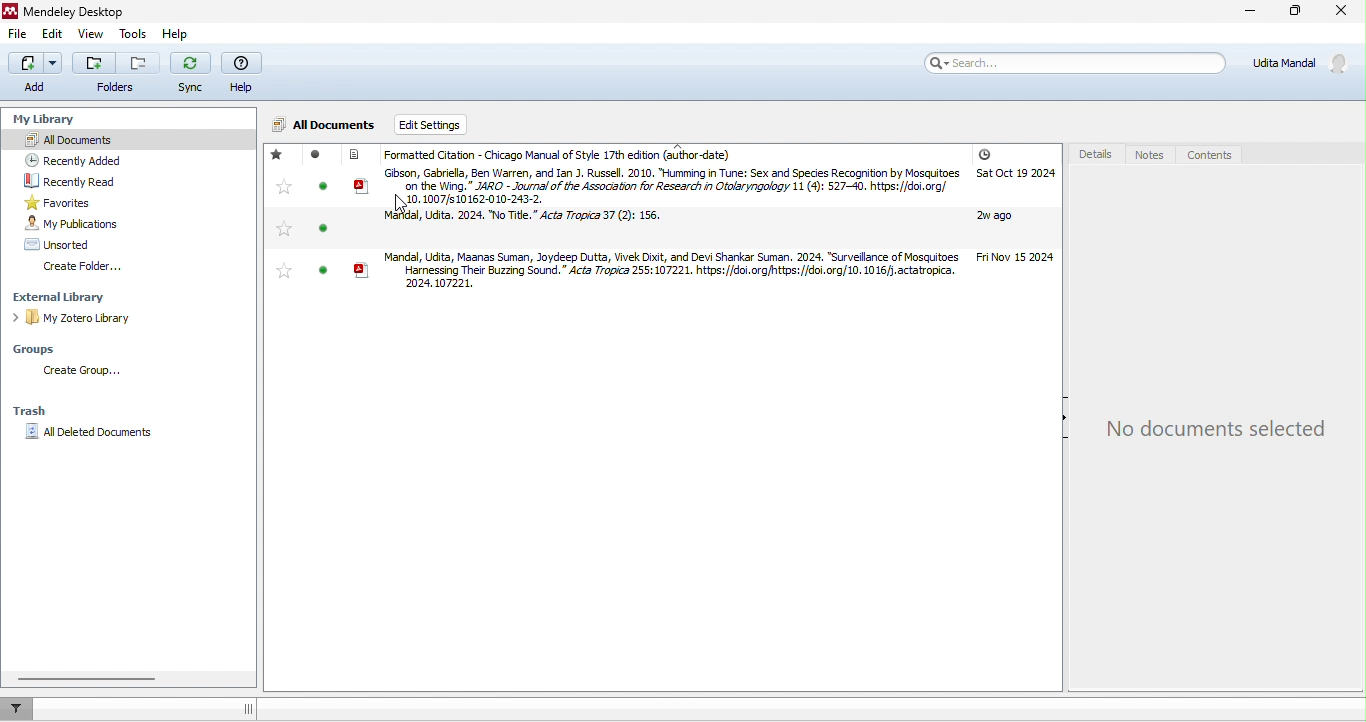 The height and width of the screenshot is (722, 1366). What do you see at coordinates (134, 36) in the screenshot?
I see `tools` at bounding box center [134, 36].